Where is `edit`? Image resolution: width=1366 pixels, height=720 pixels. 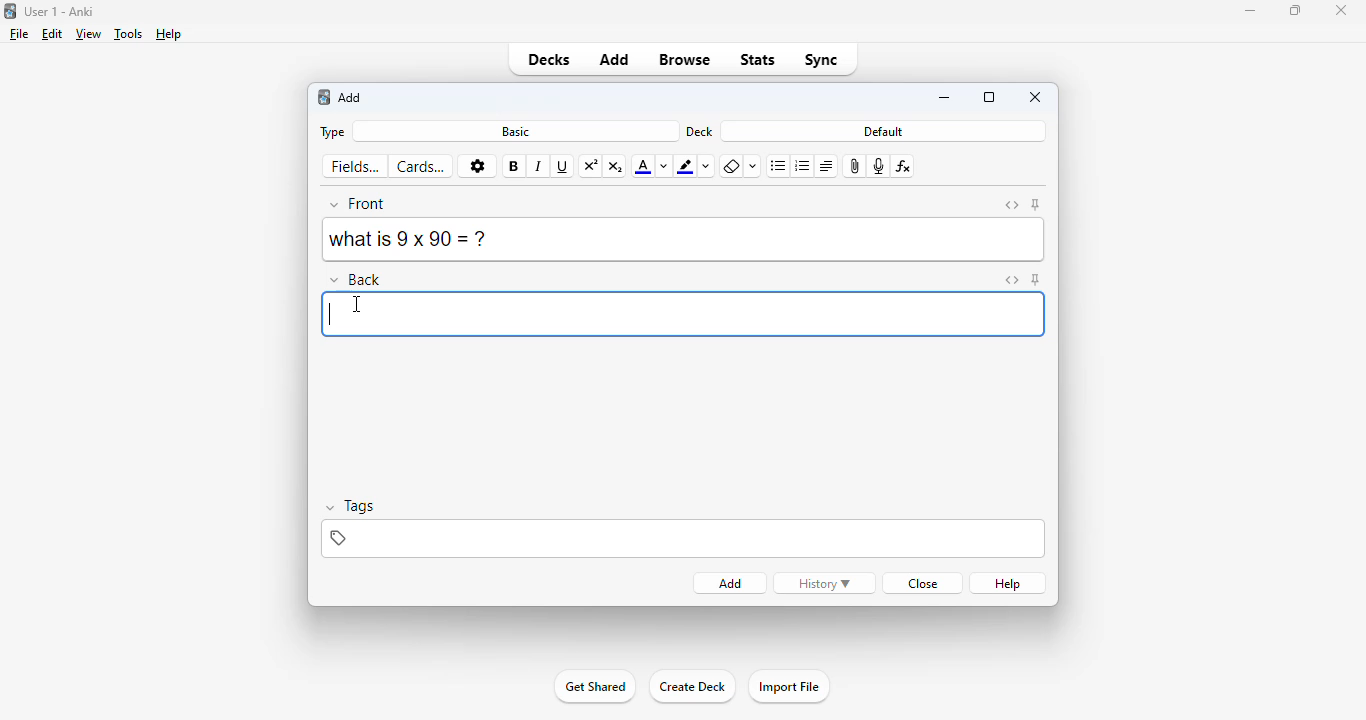 edit is located at coordinates (52, 34).